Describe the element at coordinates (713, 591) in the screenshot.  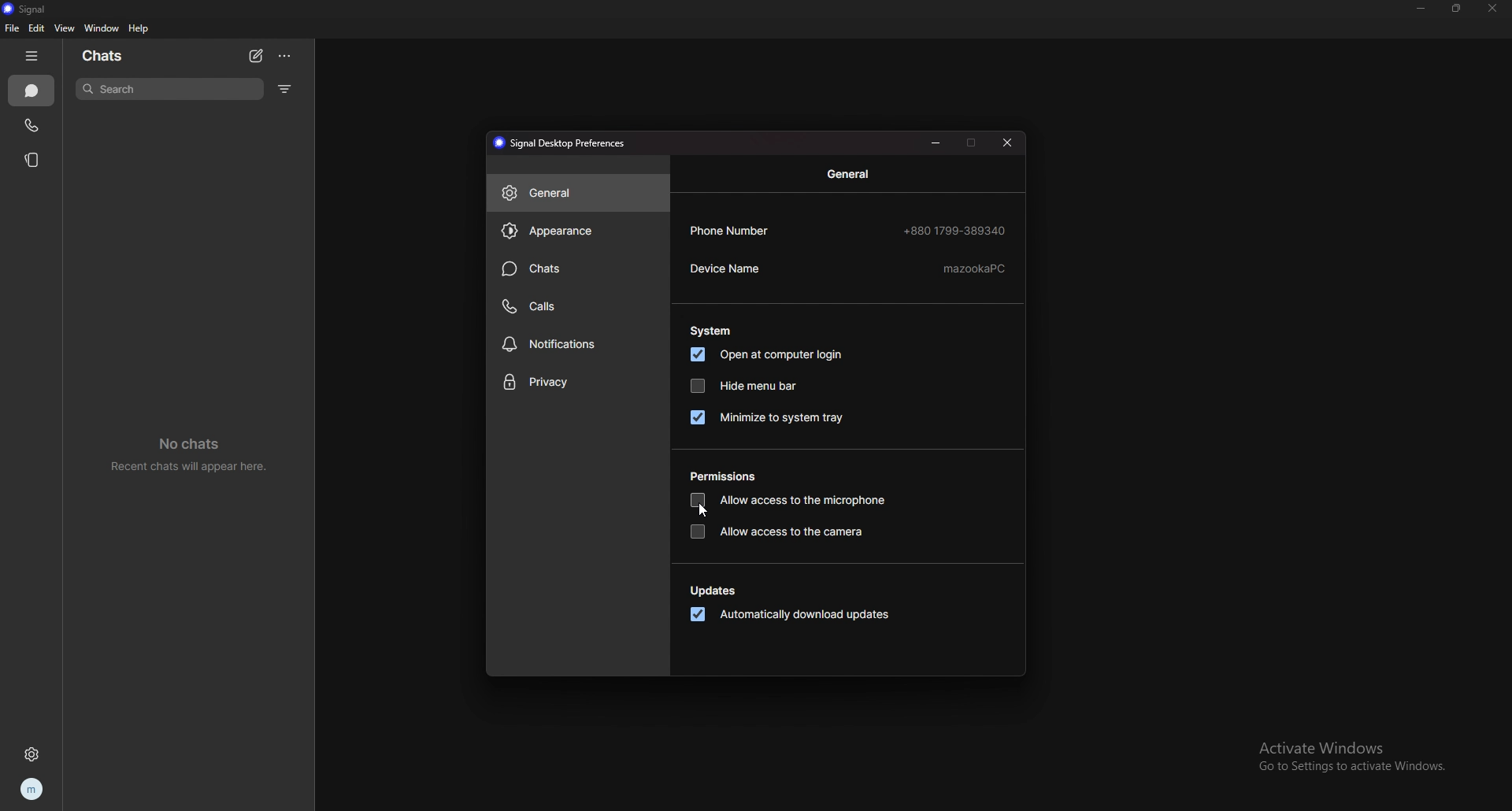
I see `updates` at that location.